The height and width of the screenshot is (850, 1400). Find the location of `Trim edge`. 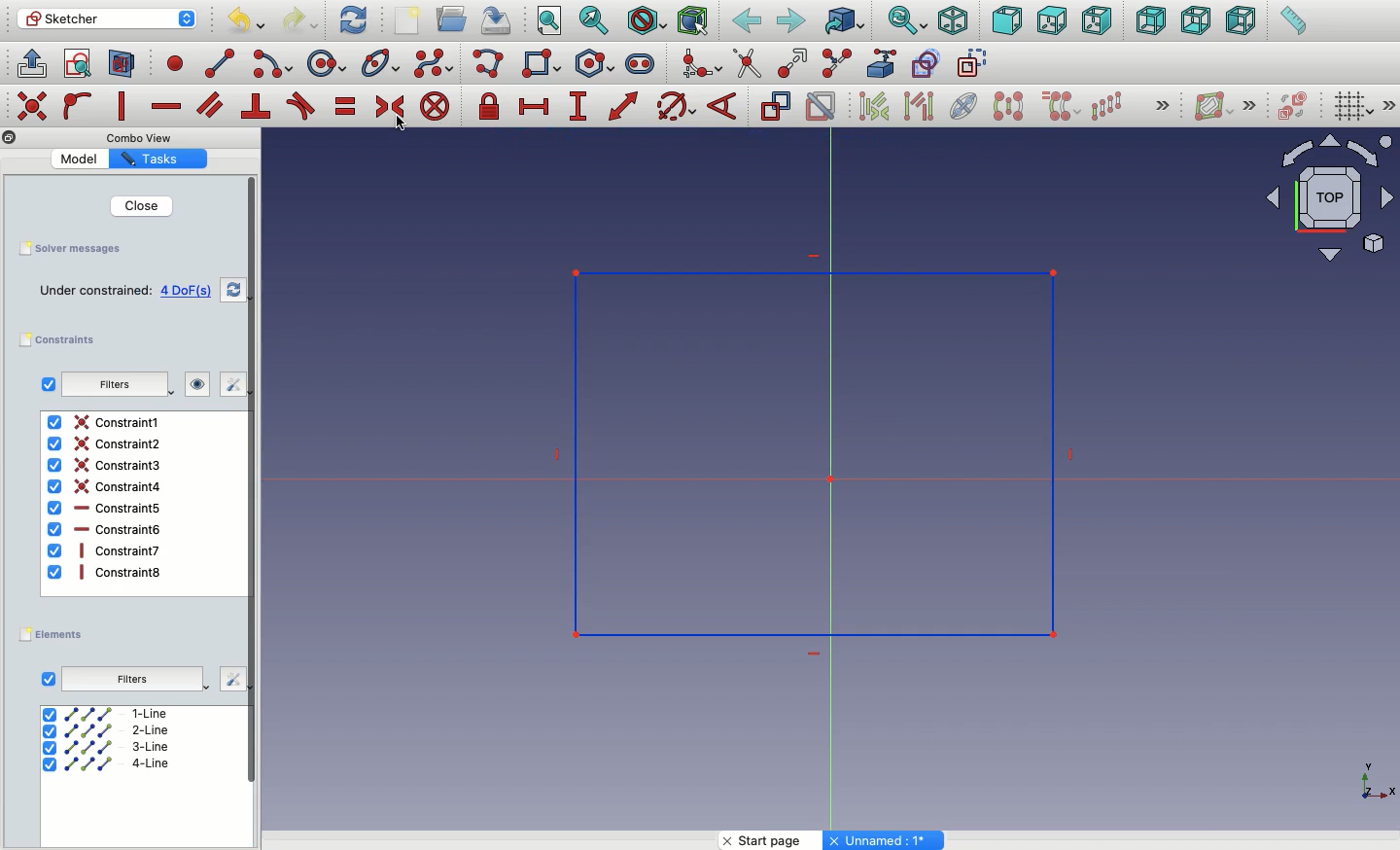

Trim edge is located at coordinates (748, 63).